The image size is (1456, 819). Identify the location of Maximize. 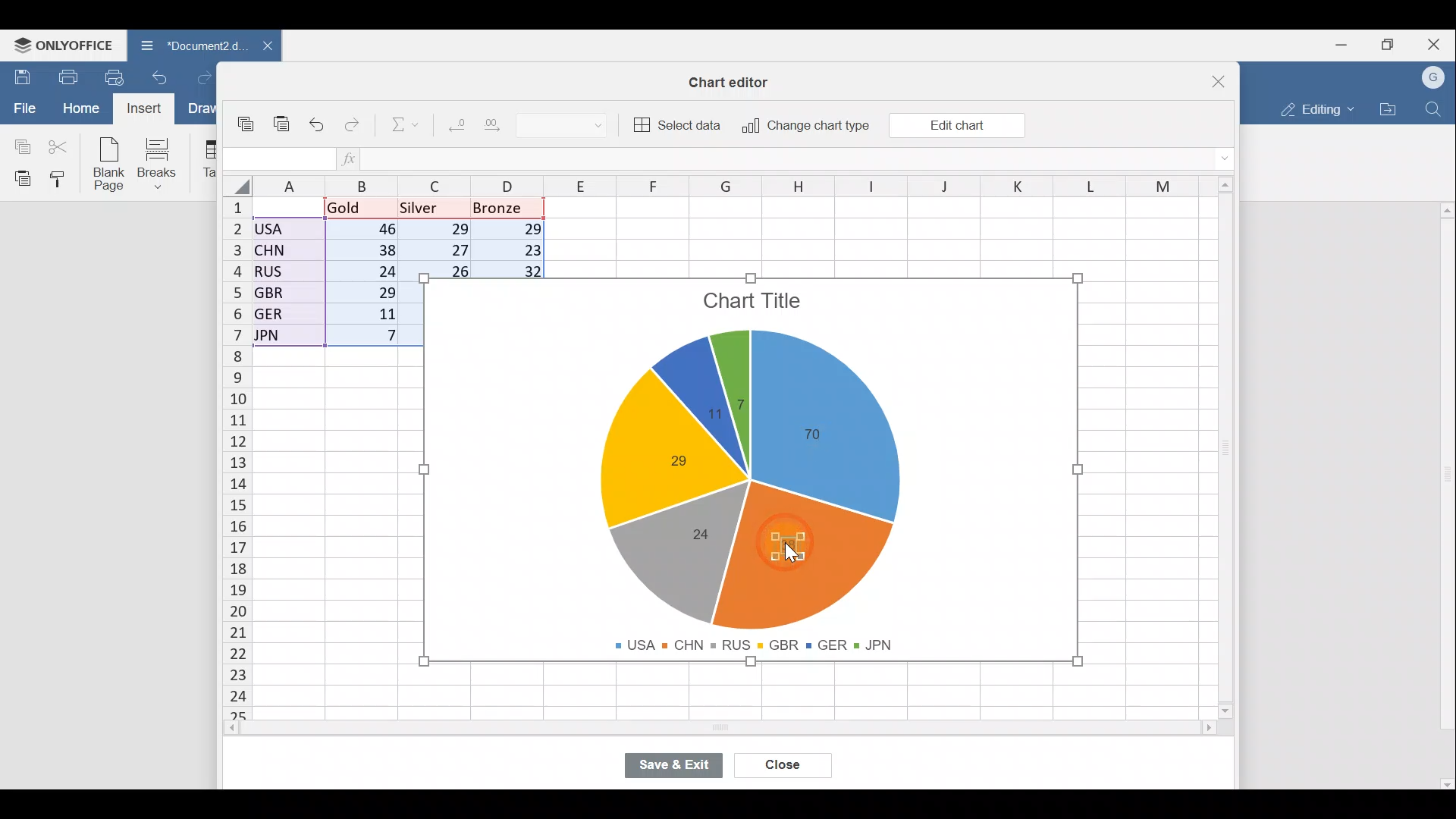
(1394, 43).